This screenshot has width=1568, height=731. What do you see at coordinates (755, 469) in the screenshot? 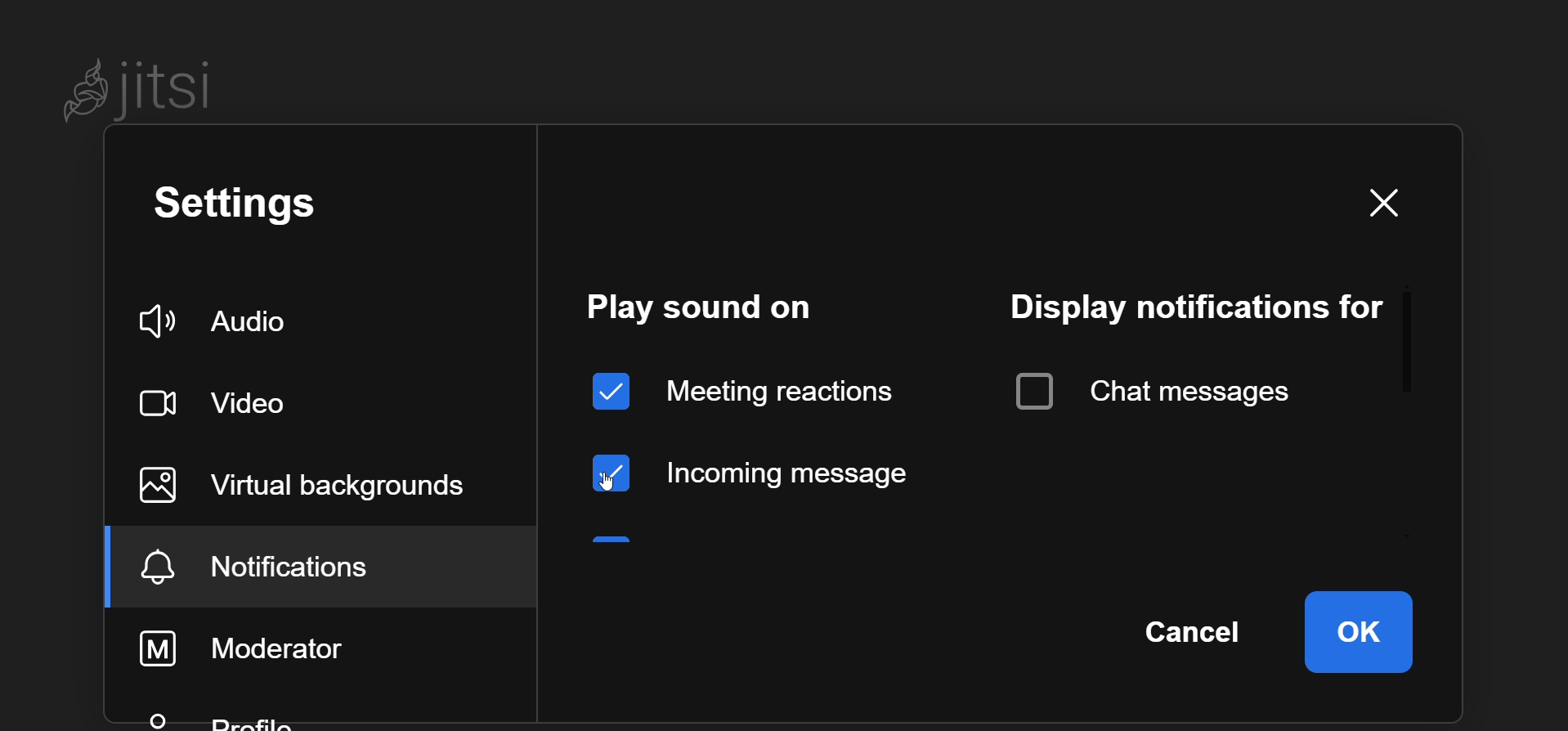
I see `enabled incoming message` at bounding box center [755, 469].